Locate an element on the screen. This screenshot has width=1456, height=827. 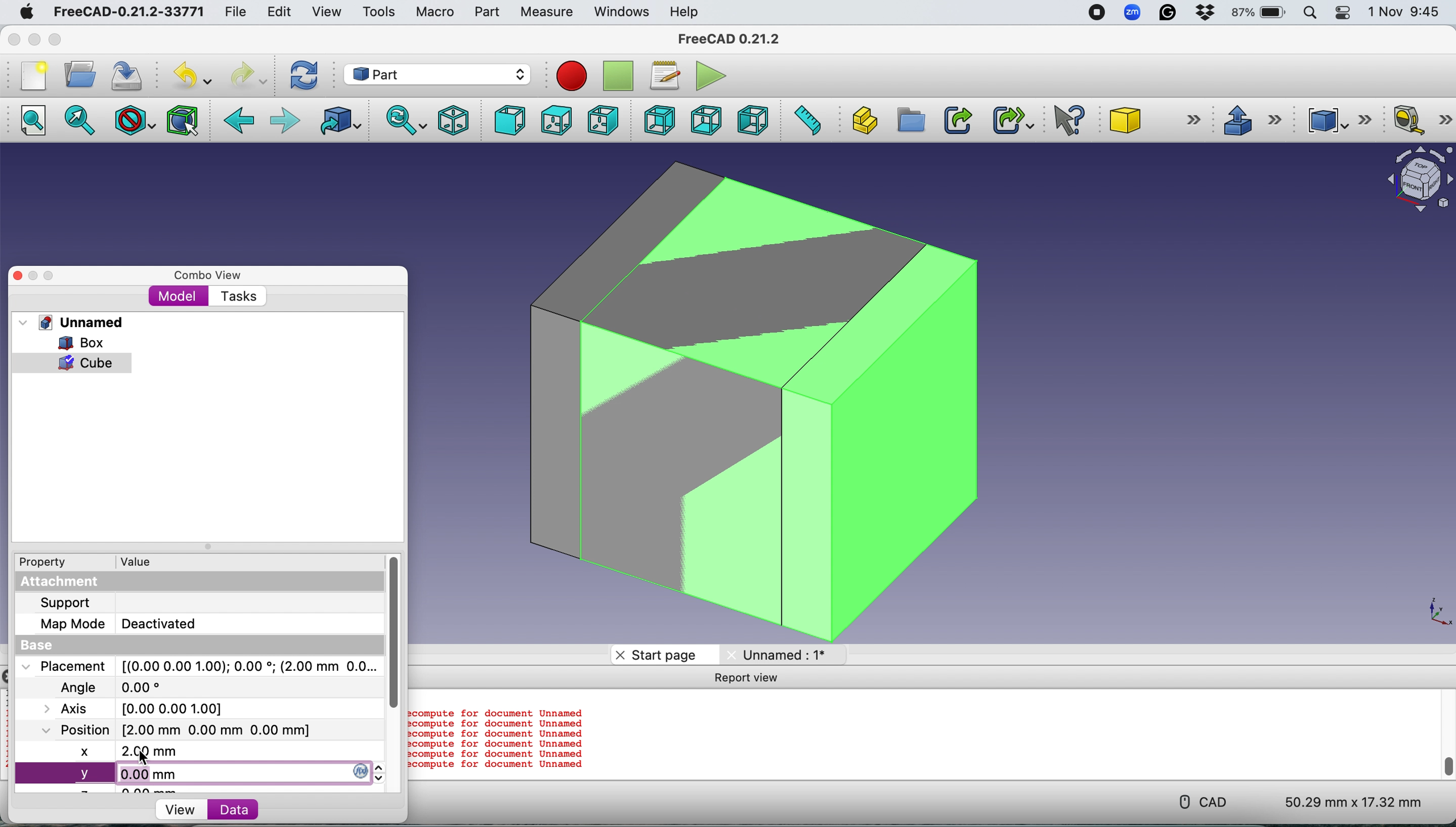
87% battery is located at coordinates (1260, 13).